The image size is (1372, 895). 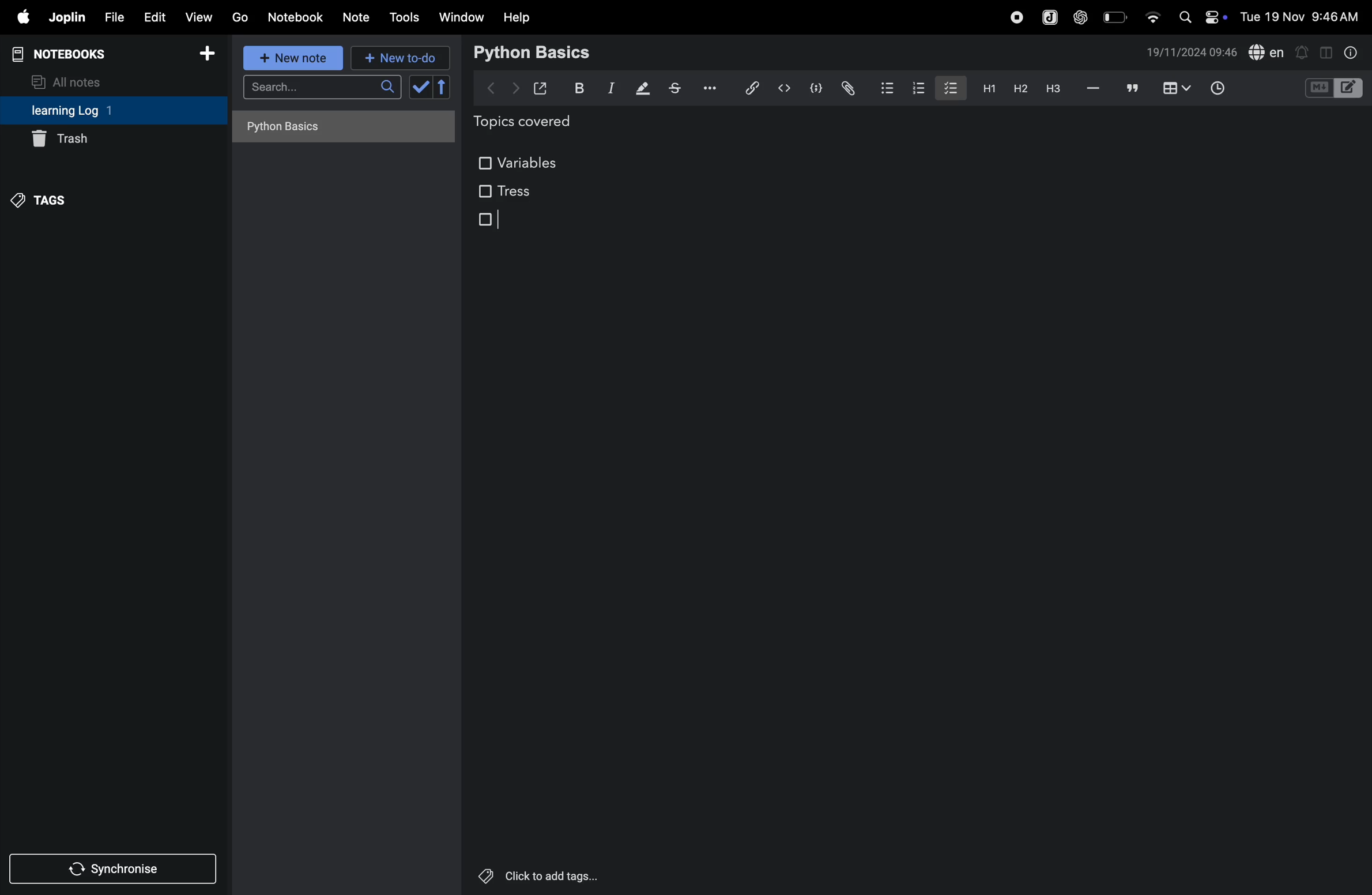 I want to click on apple widgets, so click(x=1200, y=16).